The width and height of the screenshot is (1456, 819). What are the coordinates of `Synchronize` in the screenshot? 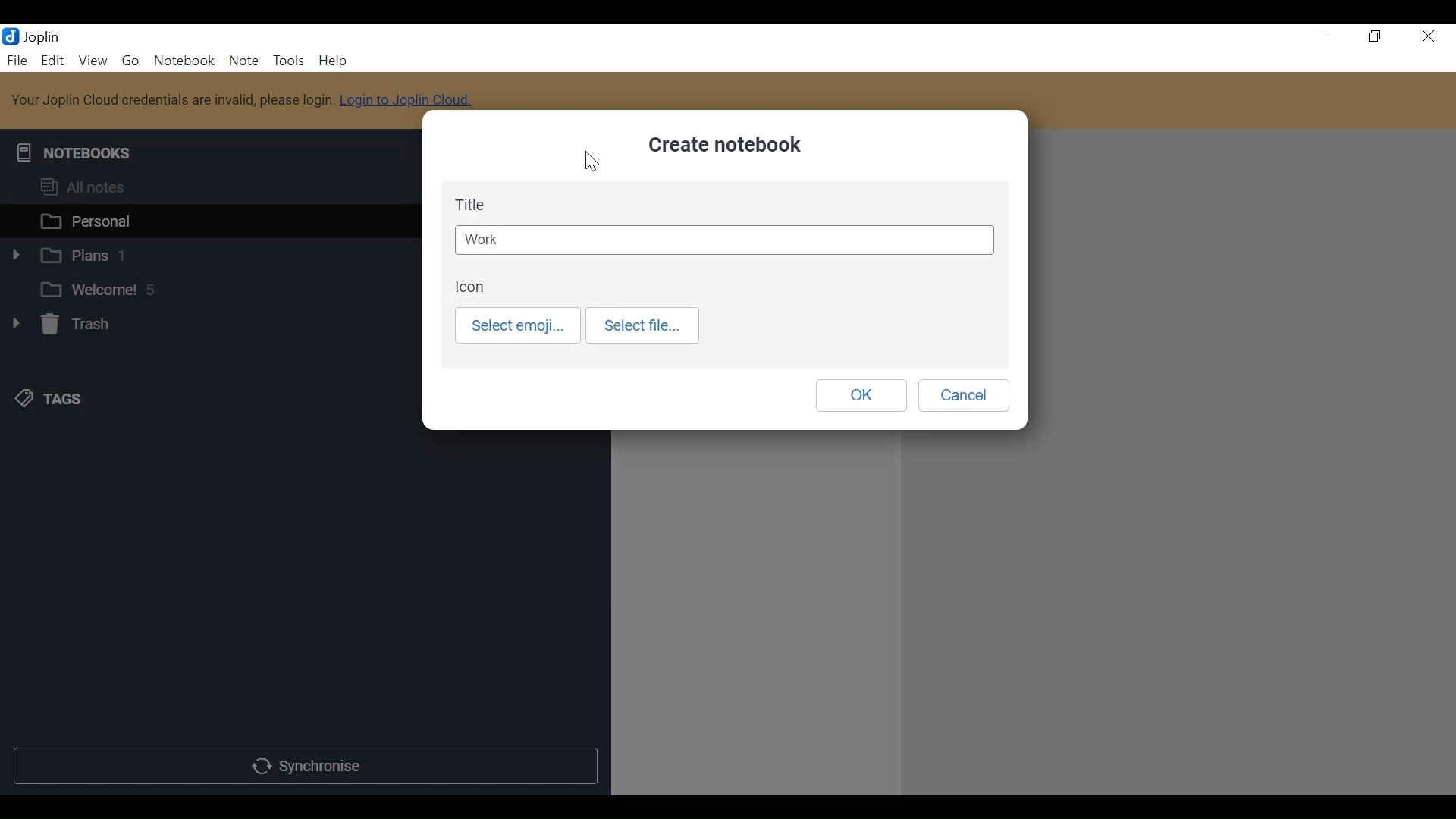 It's located at (303, 766).